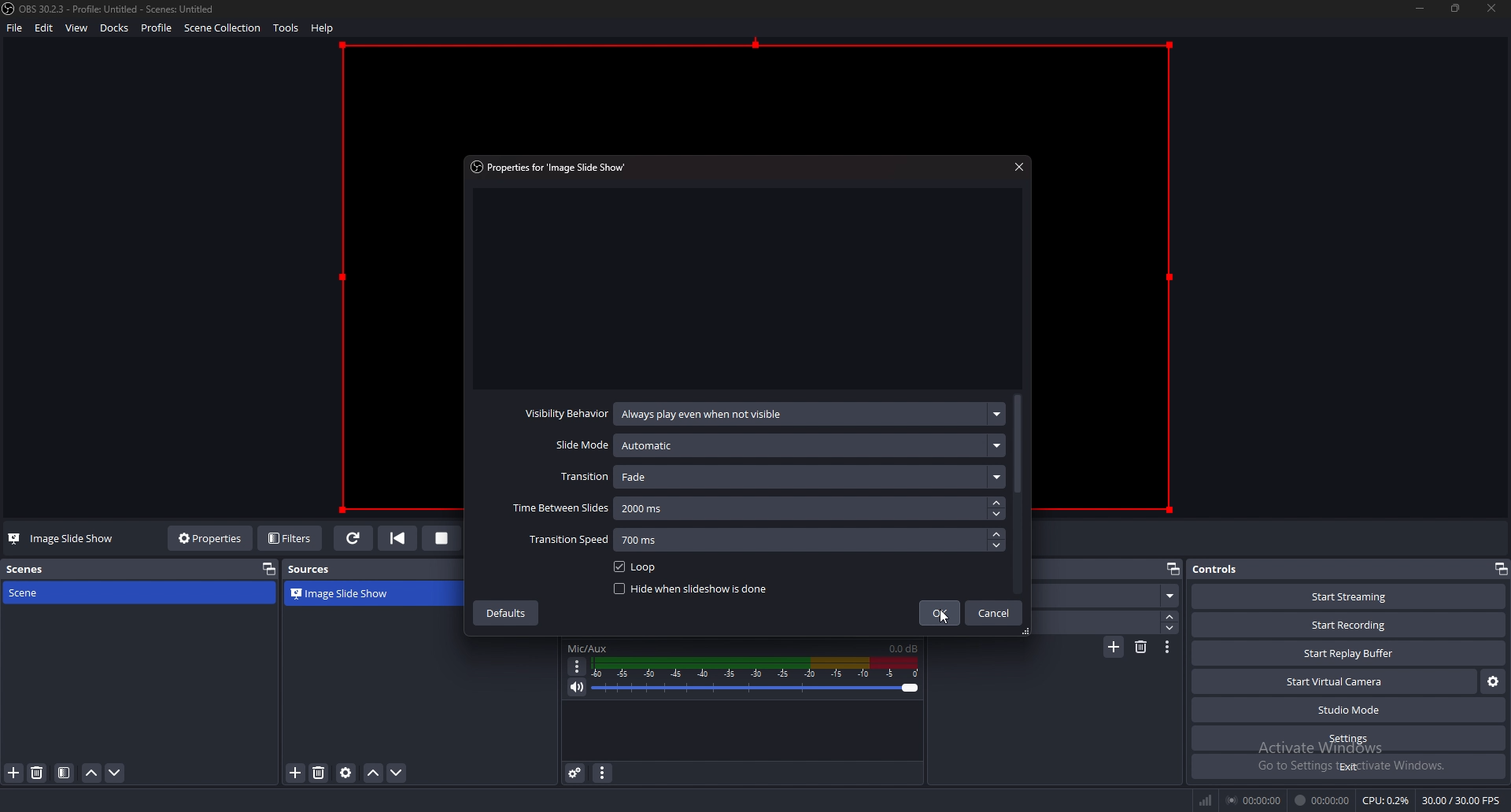 Image resolution: width=1511 pixels, height=812 pixels. I want to click on add source, so click(296, 772).